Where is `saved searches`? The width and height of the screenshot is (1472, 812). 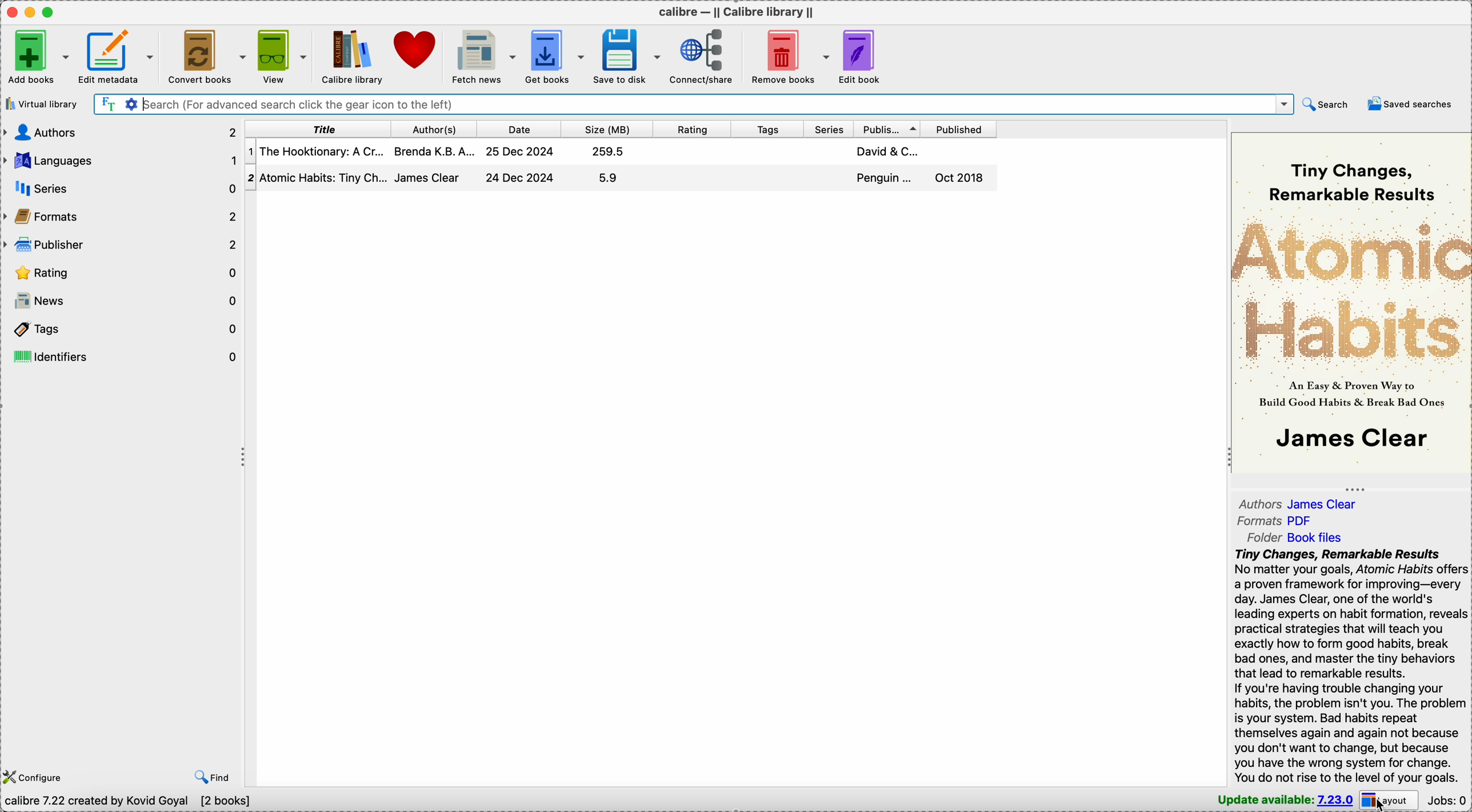 saved searches is located at coordinates (1410, 103).